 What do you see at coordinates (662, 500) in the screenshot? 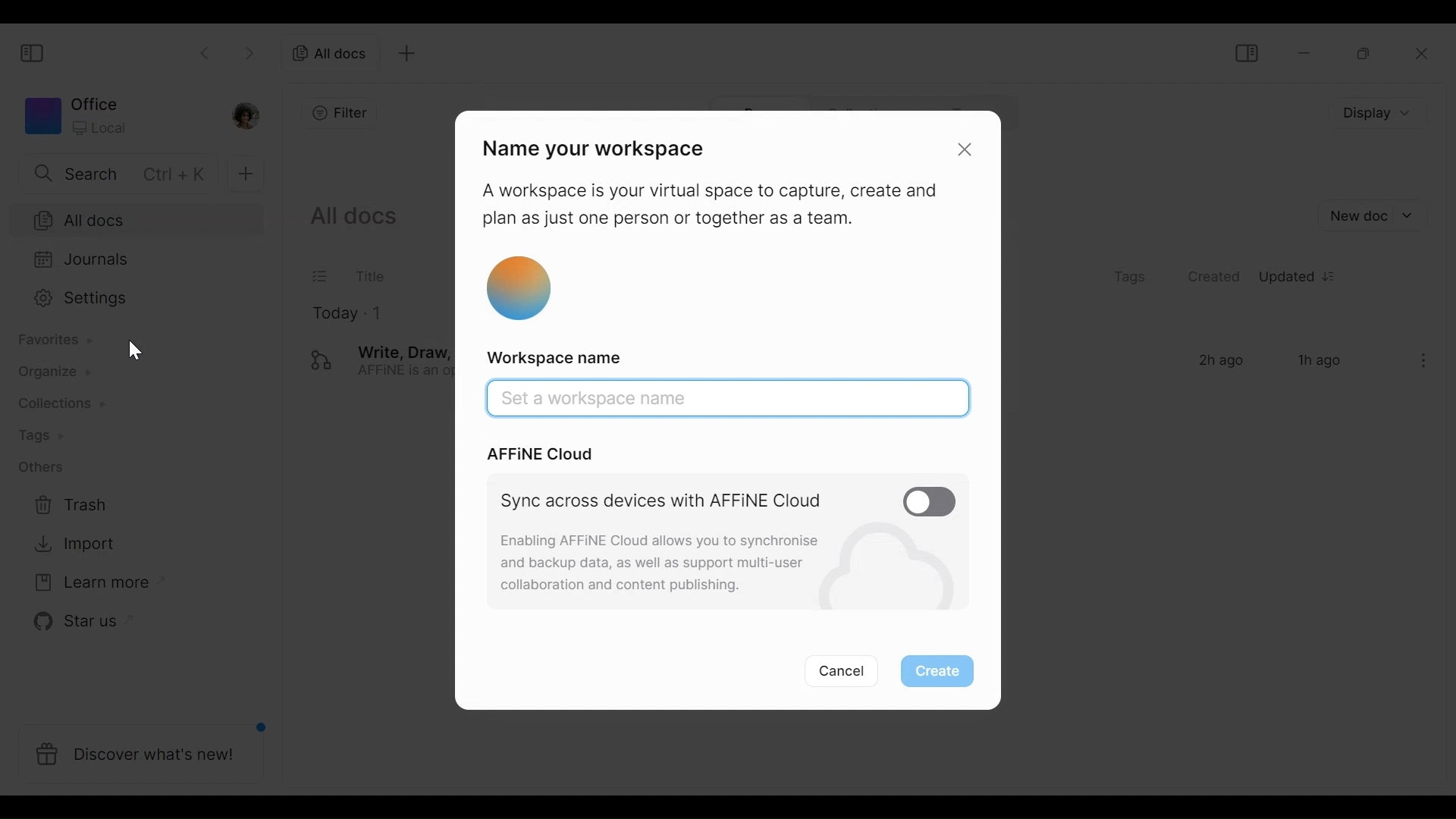
I see `Sync across devices with AFFiNE Cloud` at bounding box center [662, 500].